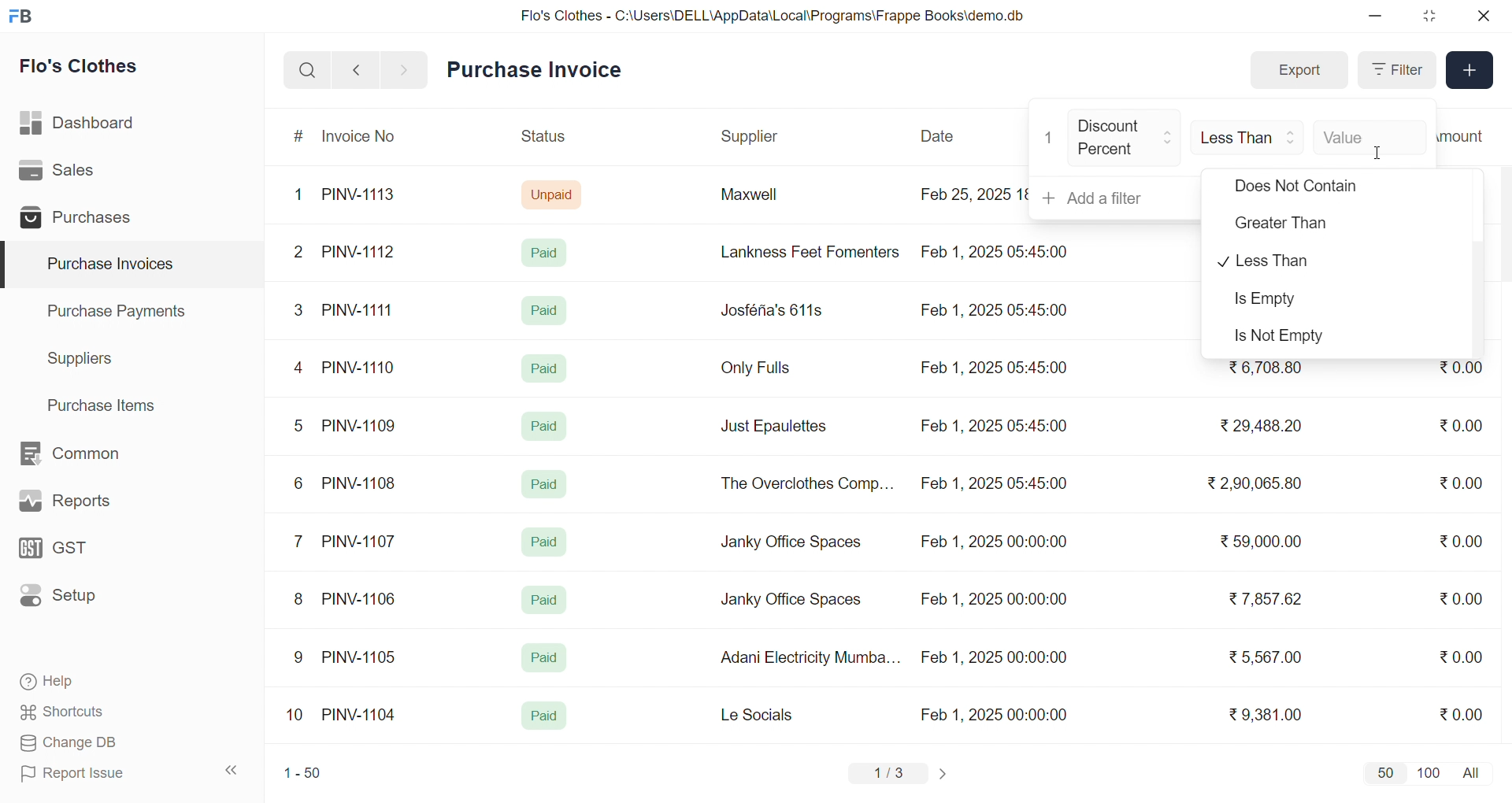 This screenshot has width=1512, height=803. I want to click on 8, so click(299, 601).